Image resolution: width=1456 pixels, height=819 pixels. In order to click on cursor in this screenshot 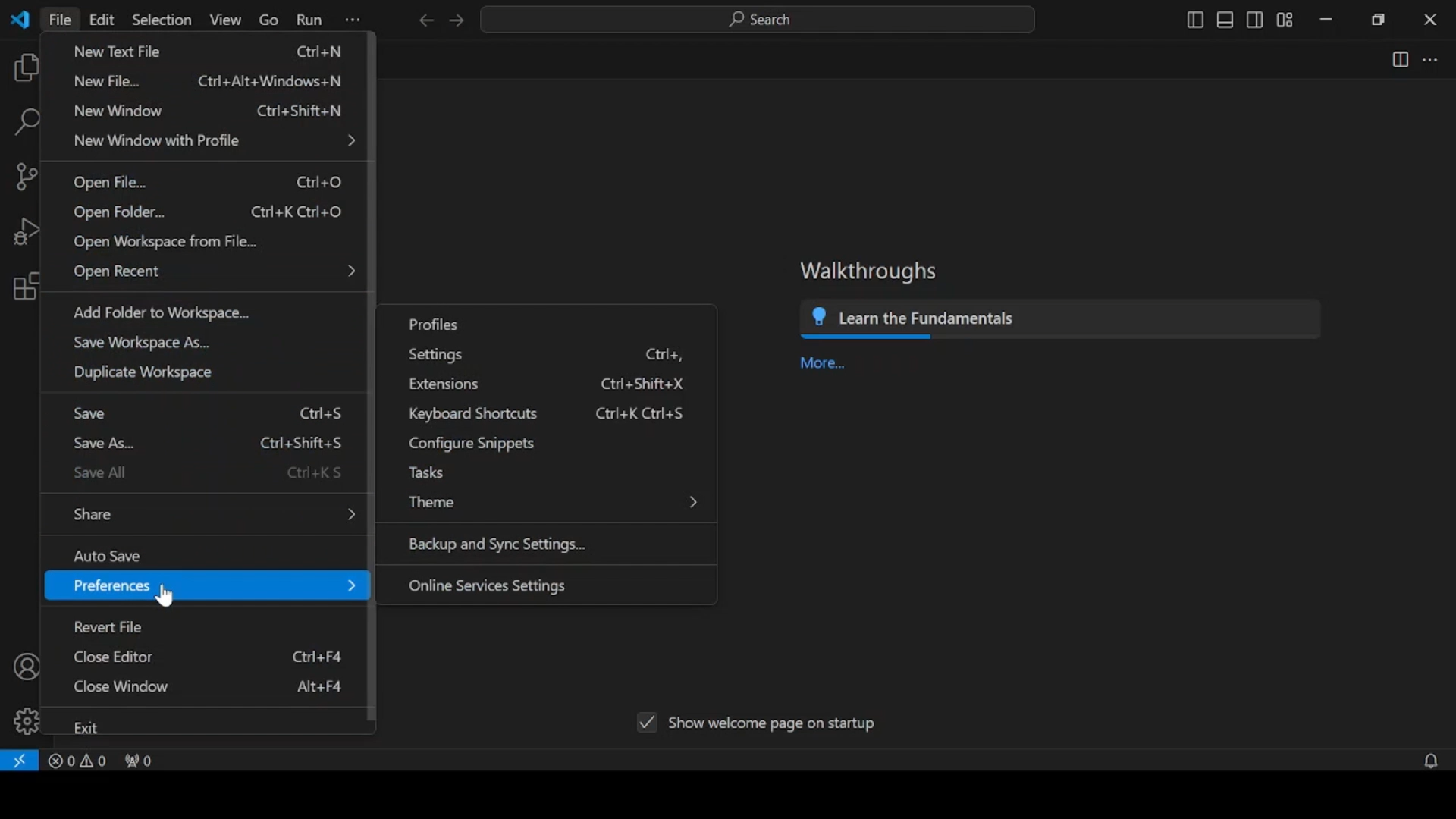, I will do `click(164, 598)`.